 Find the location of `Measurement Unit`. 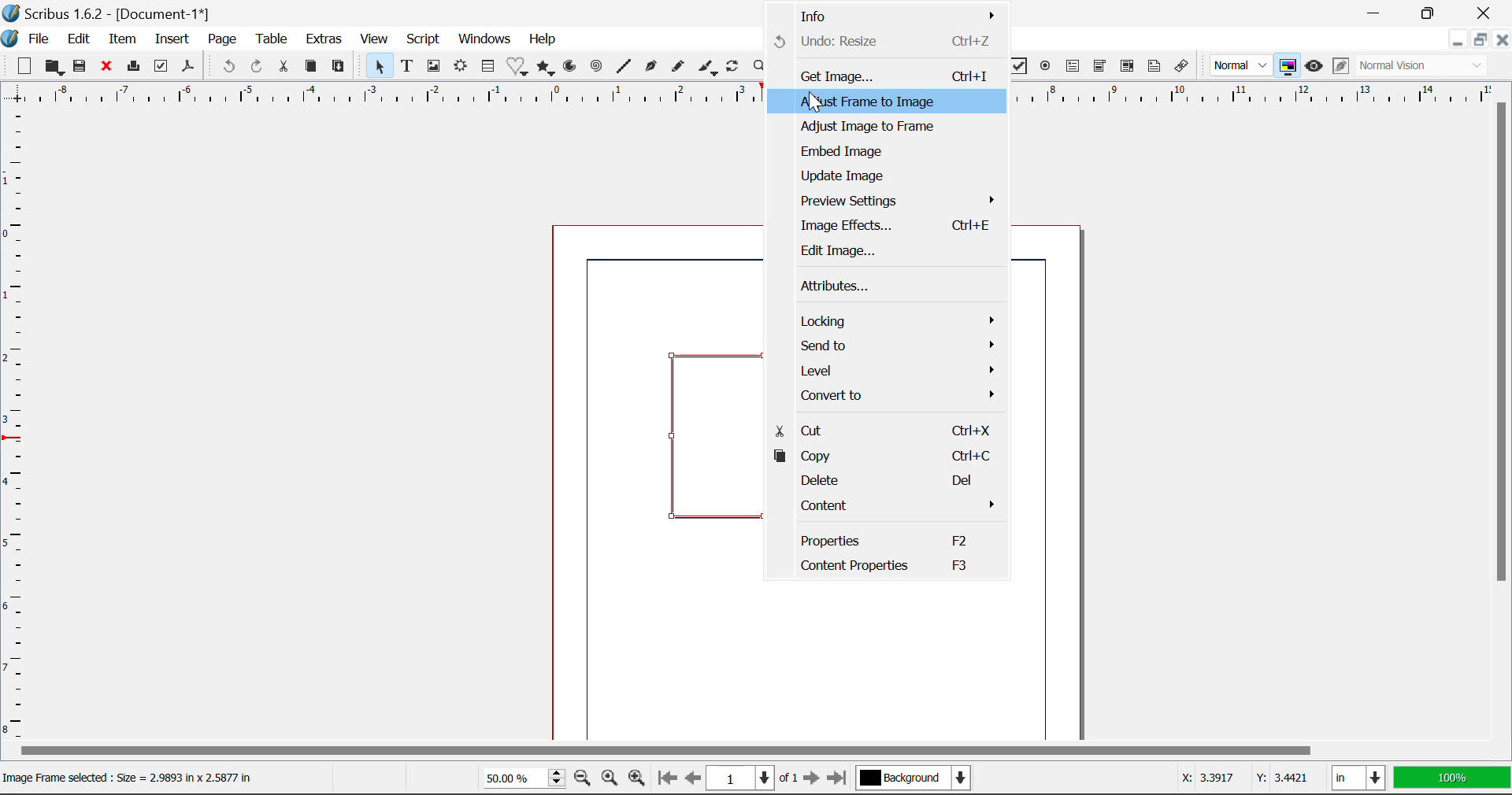

Measurement Unit is located at coordinates (1356, 777).